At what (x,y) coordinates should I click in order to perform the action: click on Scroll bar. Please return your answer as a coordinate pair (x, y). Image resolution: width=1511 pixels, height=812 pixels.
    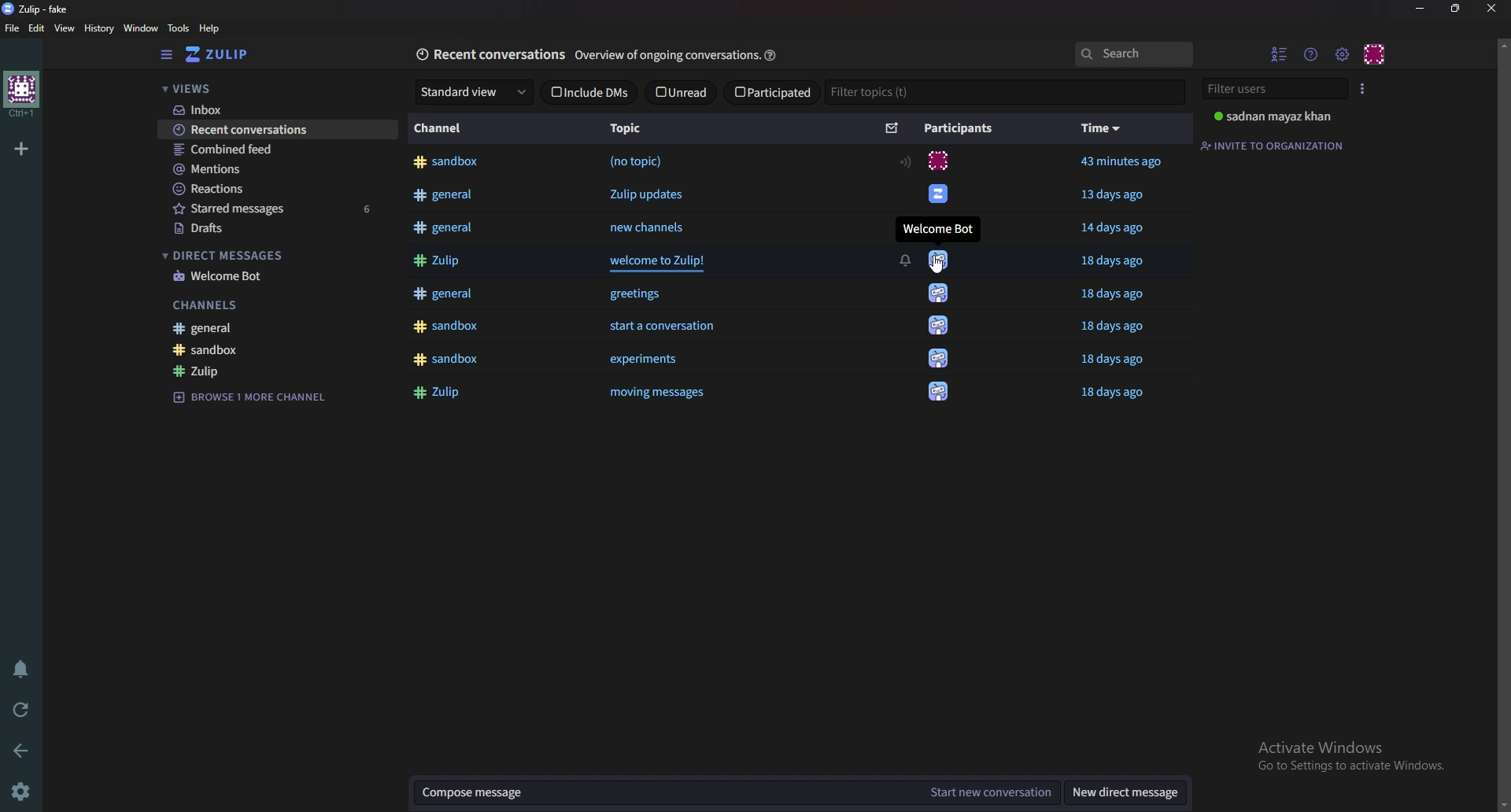
    Looking at the image, I should click on (1502, 425).